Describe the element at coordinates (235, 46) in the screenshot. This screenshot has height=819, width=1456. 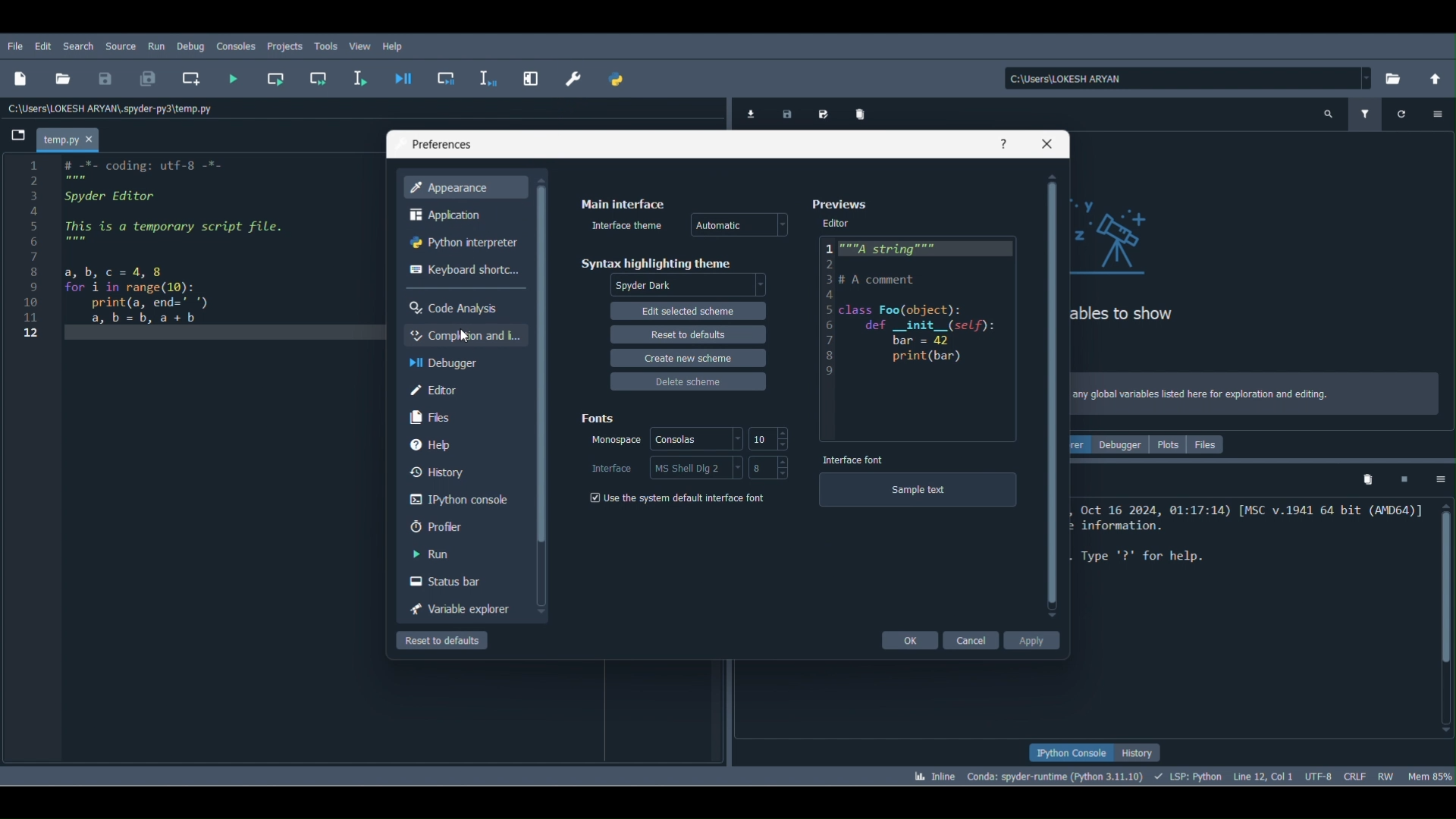
I see `Consoles` at that location.